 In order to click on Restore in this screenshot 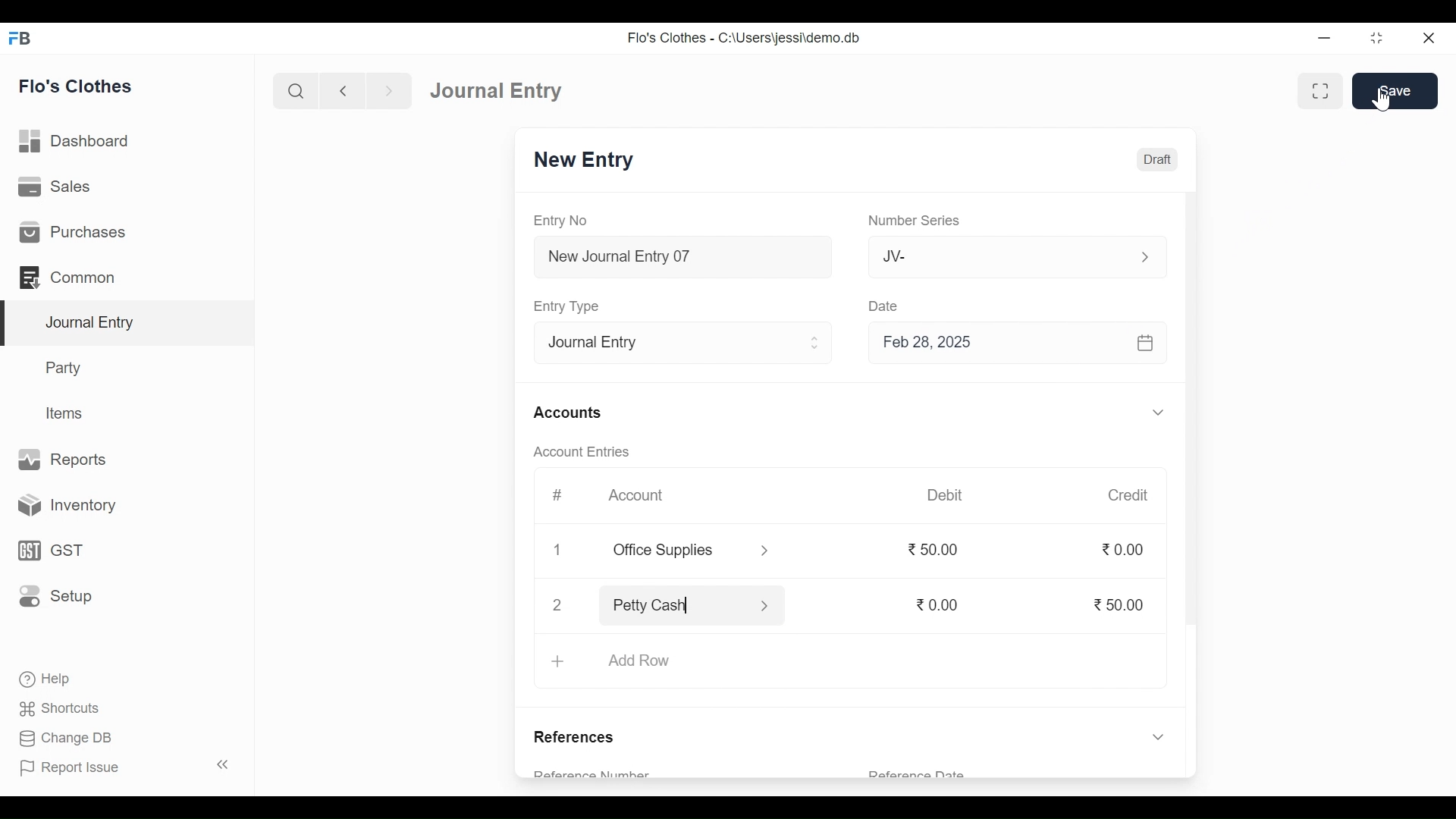, I will do `click(1376, 38)`.